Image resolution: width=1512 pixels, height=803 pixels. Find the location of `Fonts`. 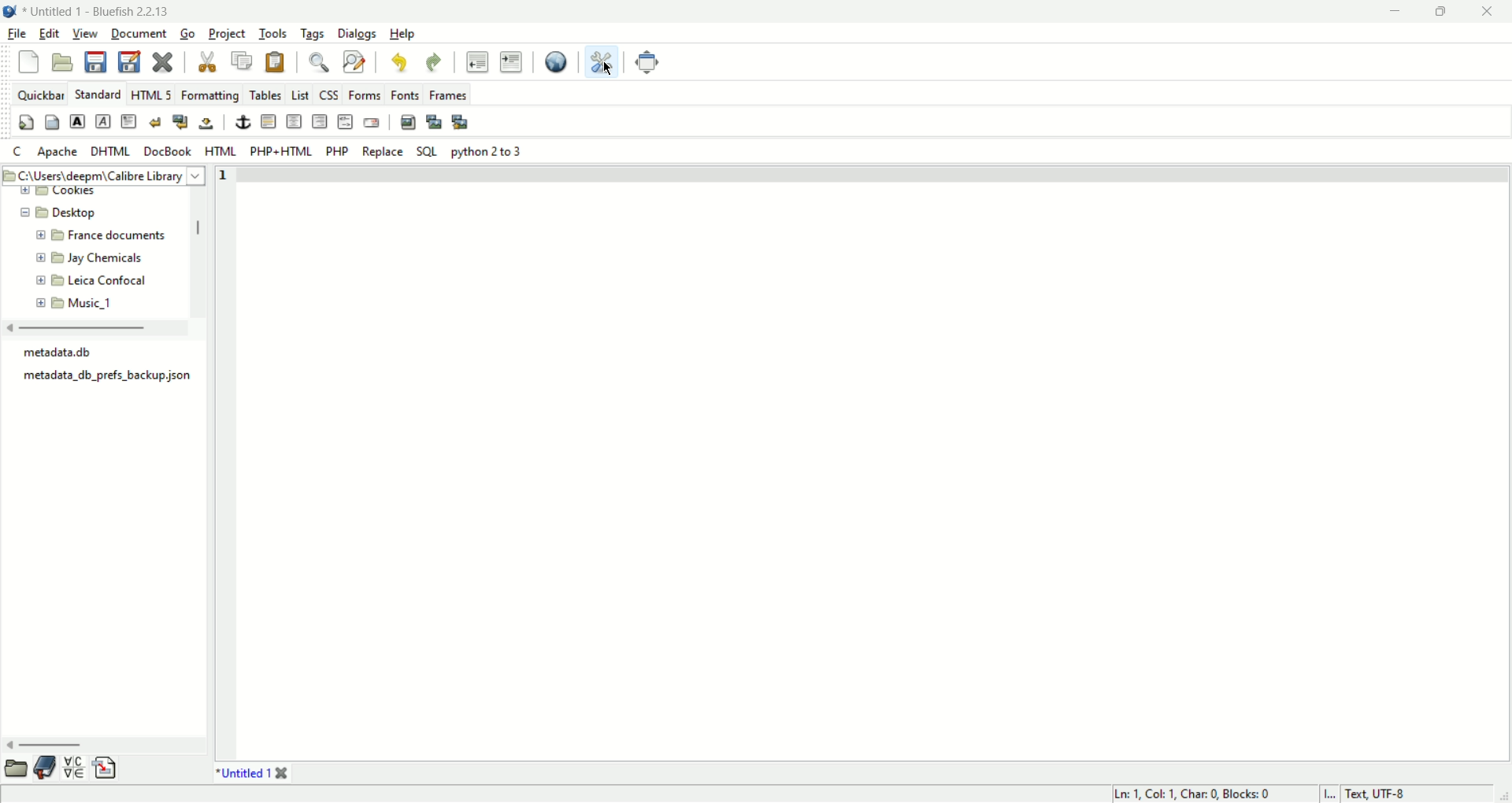

Fonts is located at coordinates (406, 95).